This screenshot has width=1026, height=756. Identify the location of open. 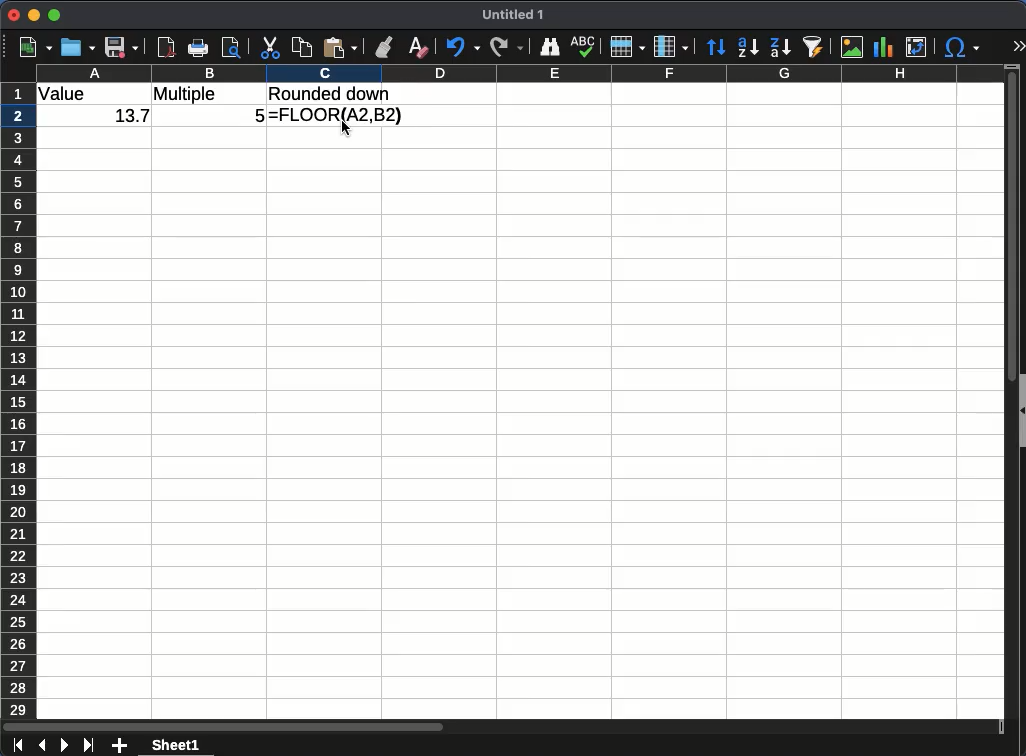
(78, 47).